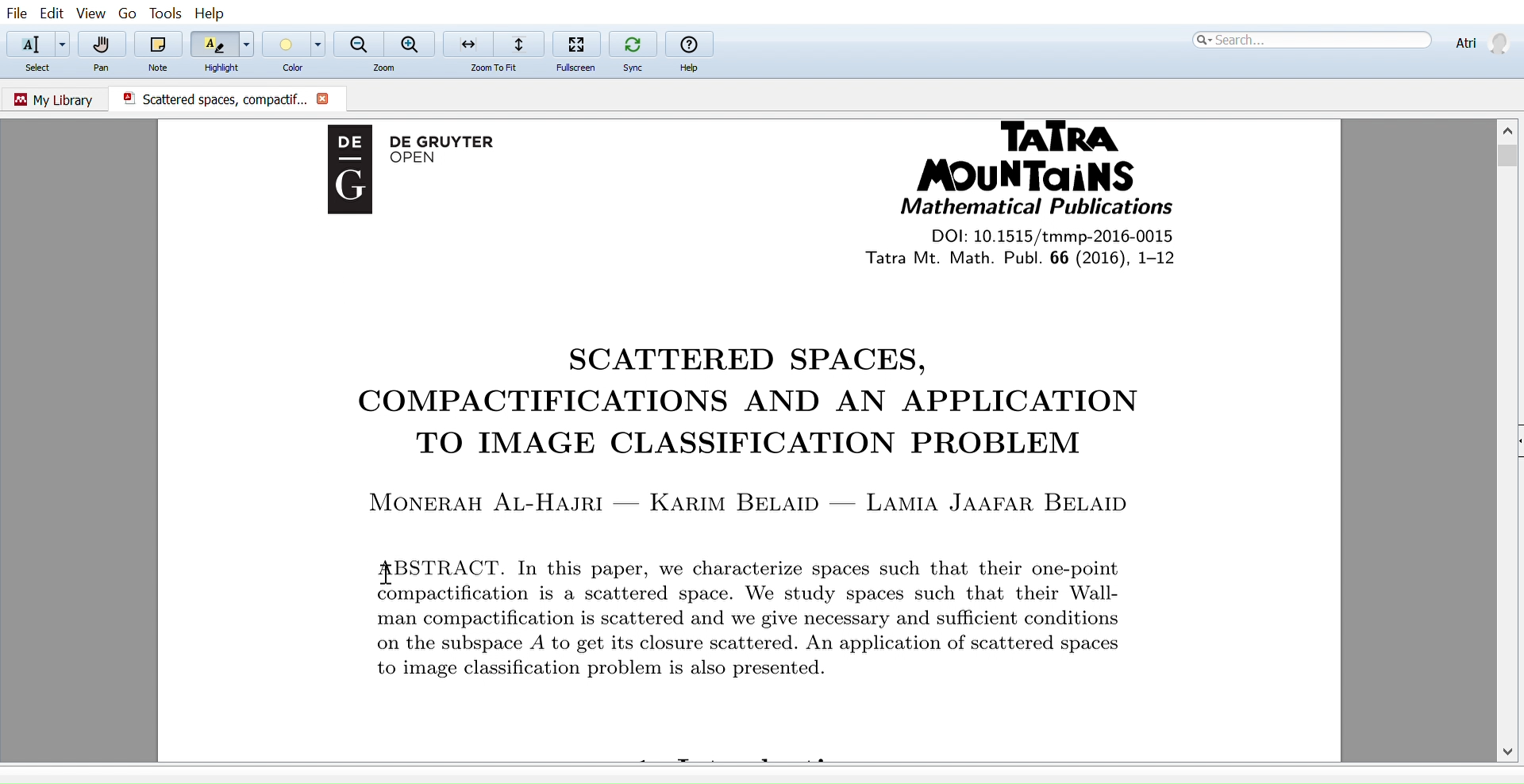  What do you see at coordinates (572, 68) in the screenshot?
I see `Fullscreen` at bounding box center [572, 68].